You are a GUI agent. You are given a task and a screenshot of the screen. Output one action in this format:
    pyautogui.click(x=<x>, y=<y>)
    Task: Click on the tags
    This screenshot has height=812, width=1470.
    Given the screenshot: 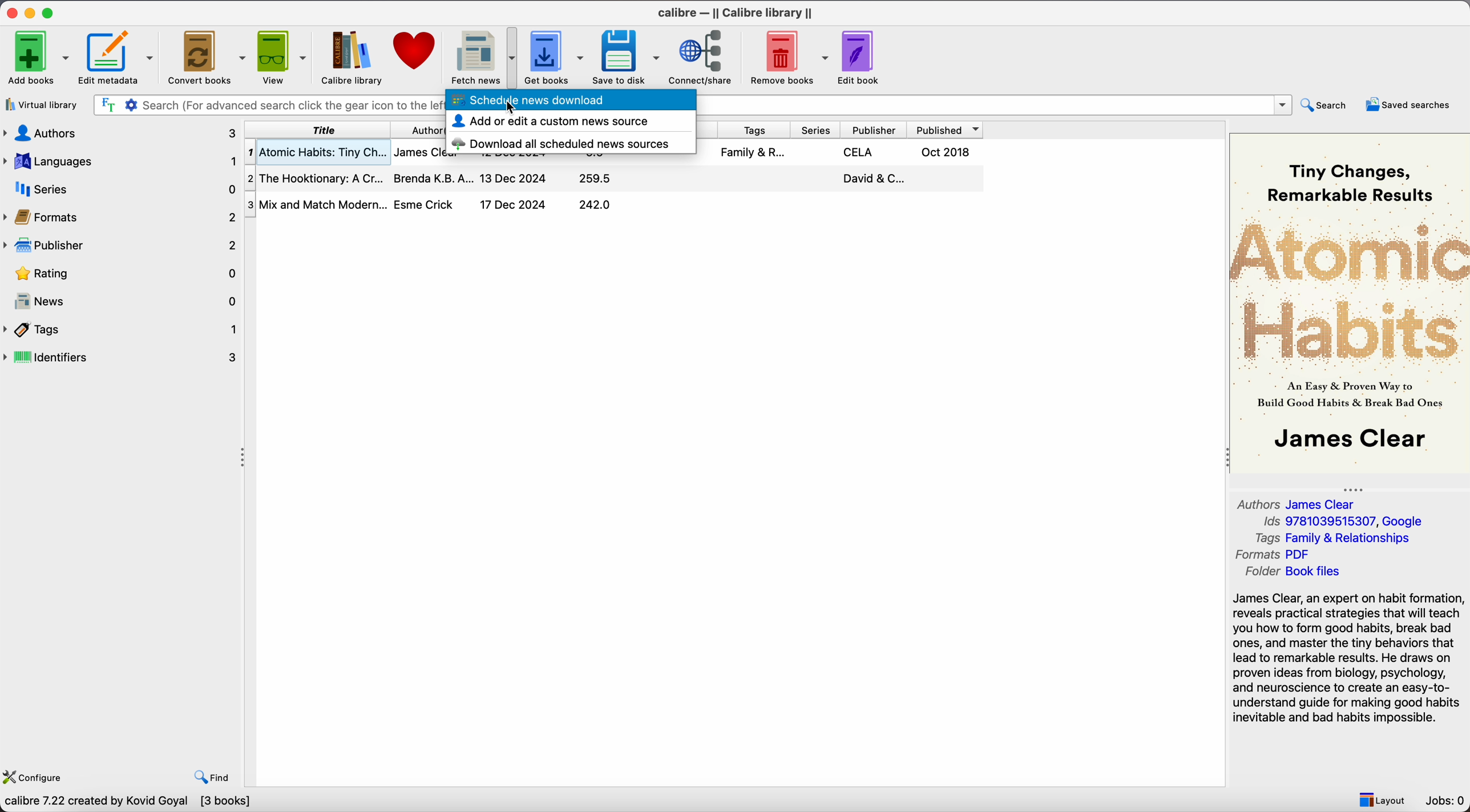 What is the action you would take?
    pyautogui.click(x=757, y=130)
    